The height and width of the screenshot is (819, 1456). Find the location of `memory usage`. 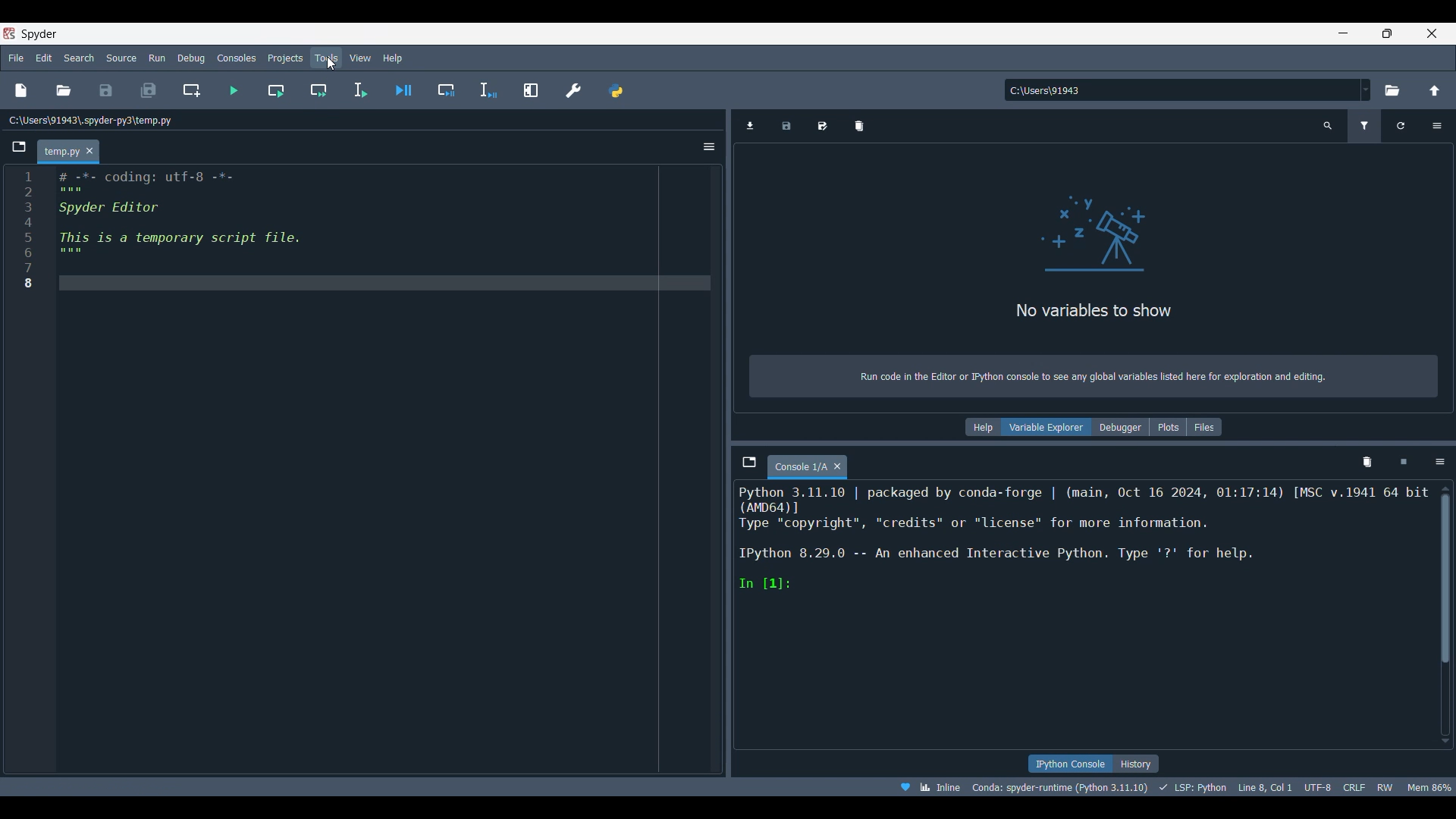

memory usage is located at coordinates (1429, 786).